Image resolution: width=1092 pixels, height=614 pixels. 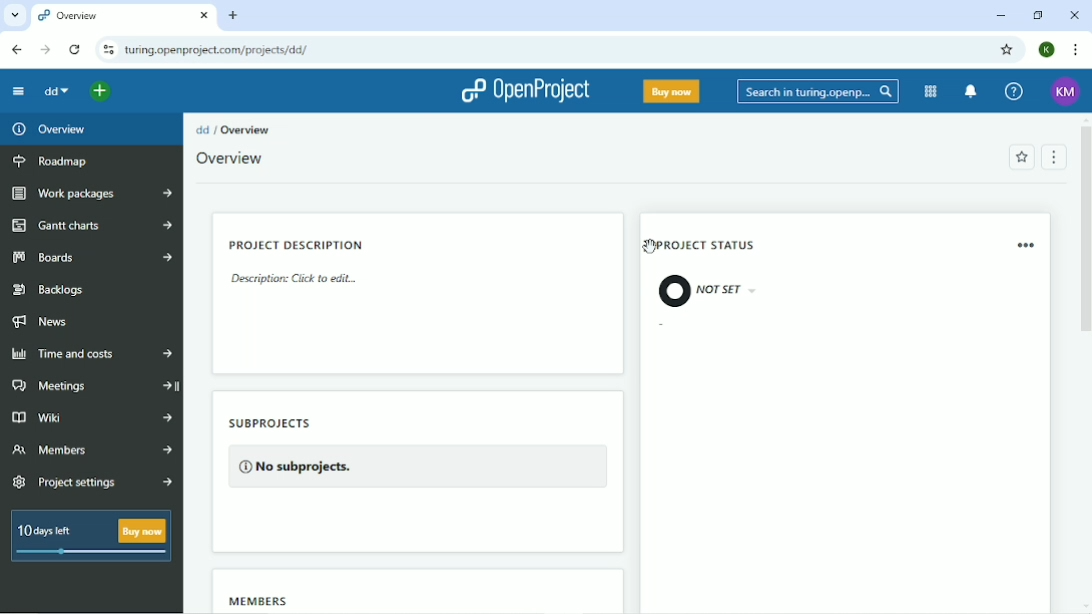 I want to click on Modules, so click(x=931, y=92).